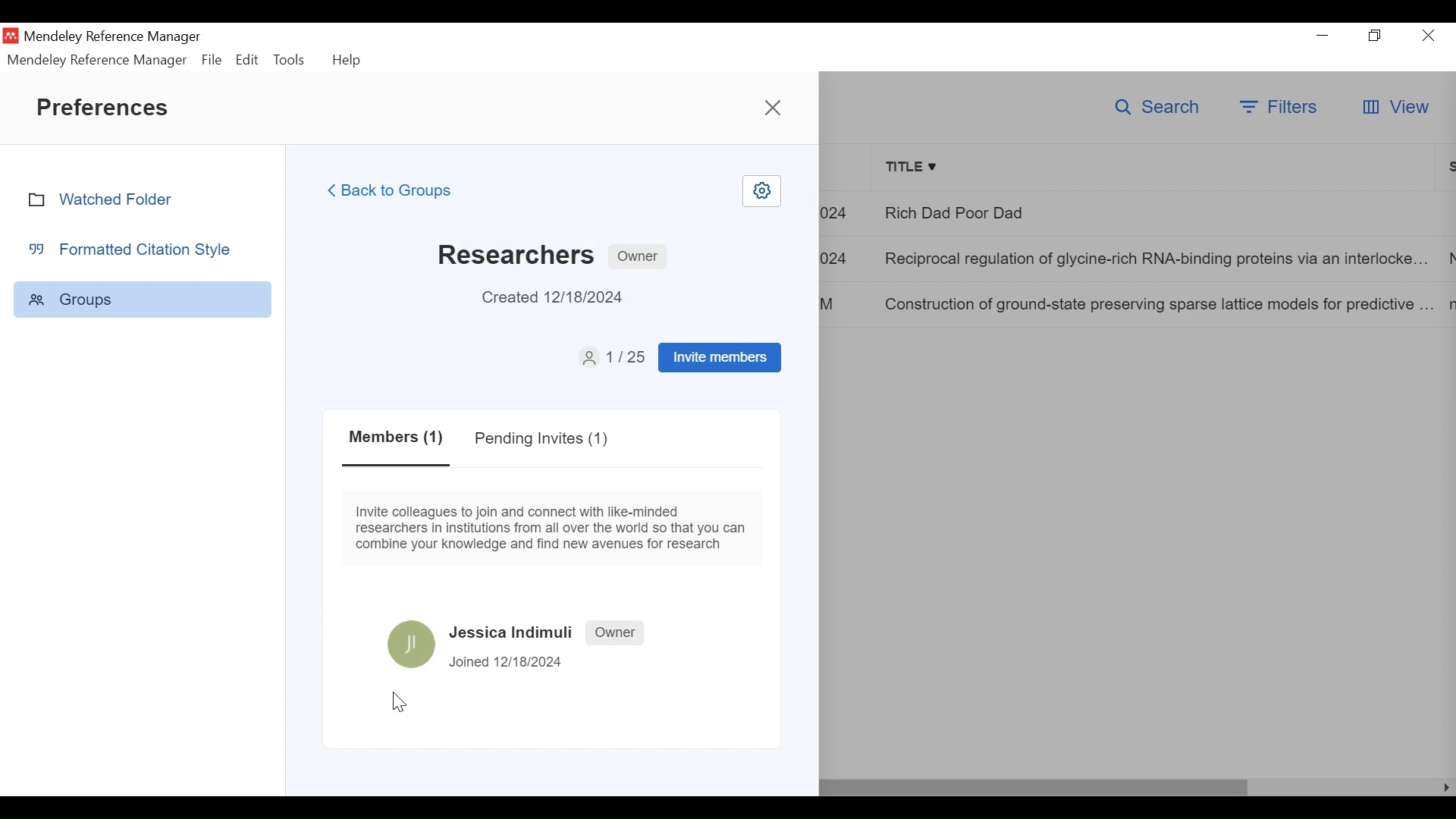 This screenshot has width=1456, height=819. Describe the element at coordinates (246, 60) in the screenshot. I see `Edit` at that location.